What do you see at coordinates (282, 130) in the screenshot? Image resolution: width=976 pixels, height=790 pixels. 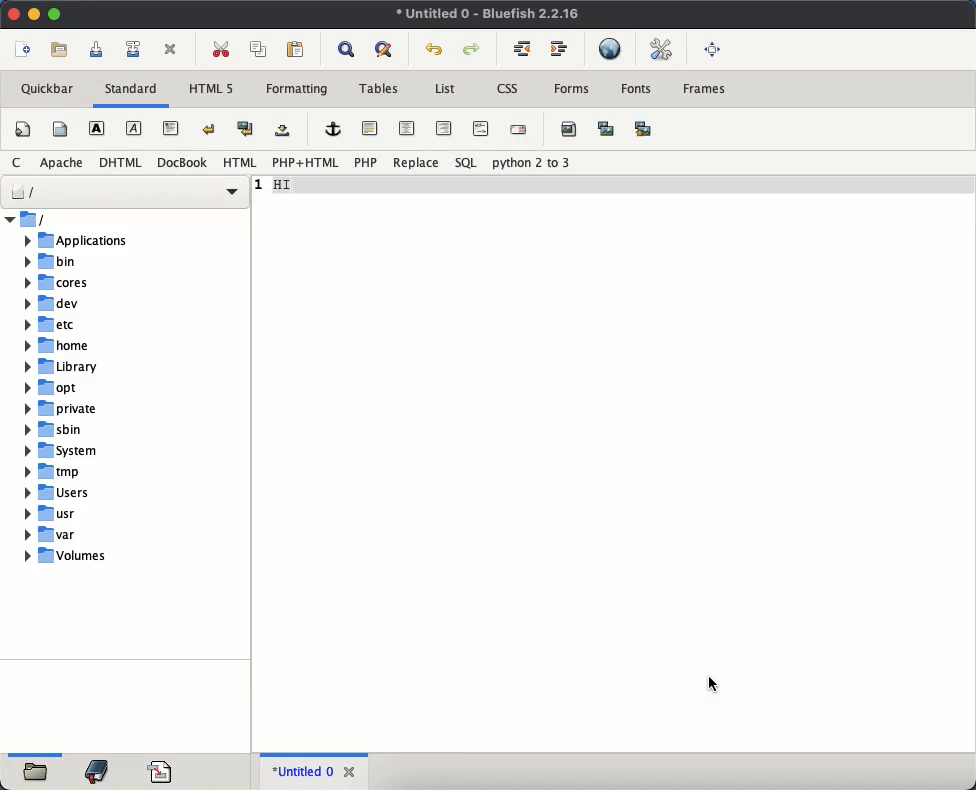 I see `non-breaking space` at bounding box center [282, 130].